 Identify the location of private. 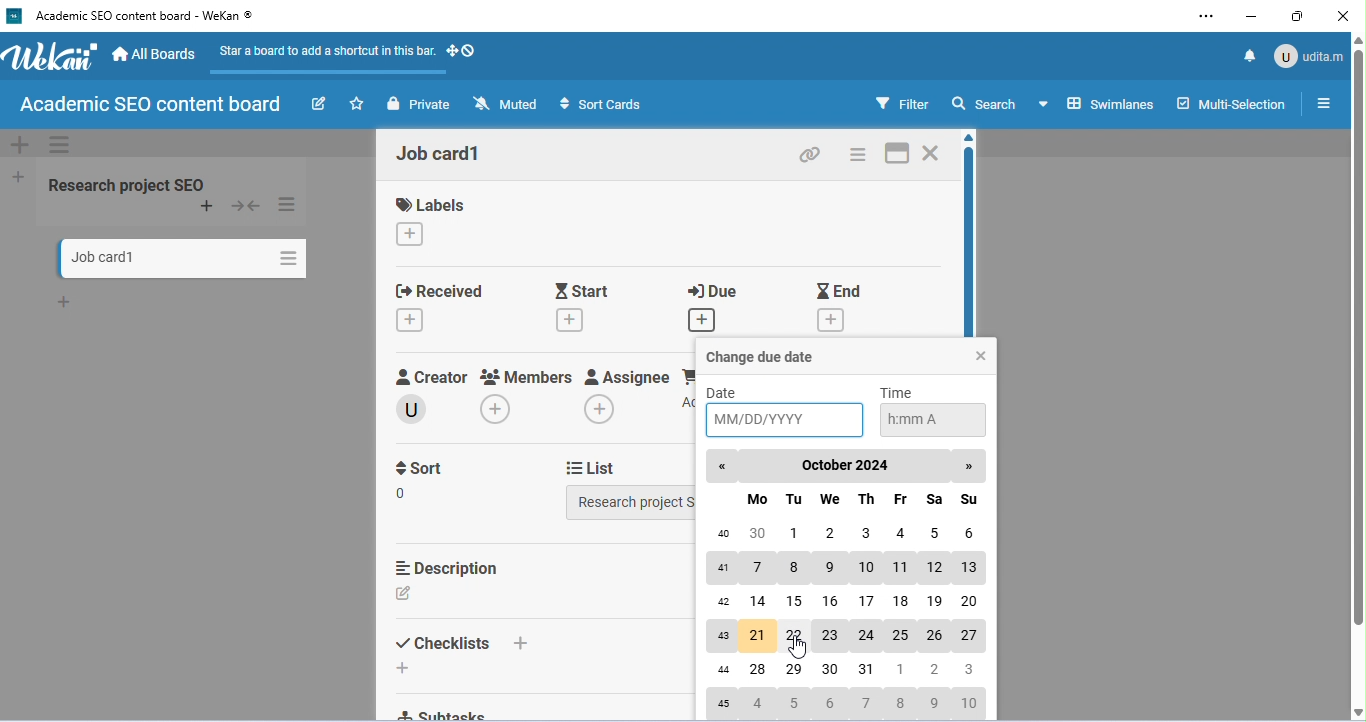
(422, 104).